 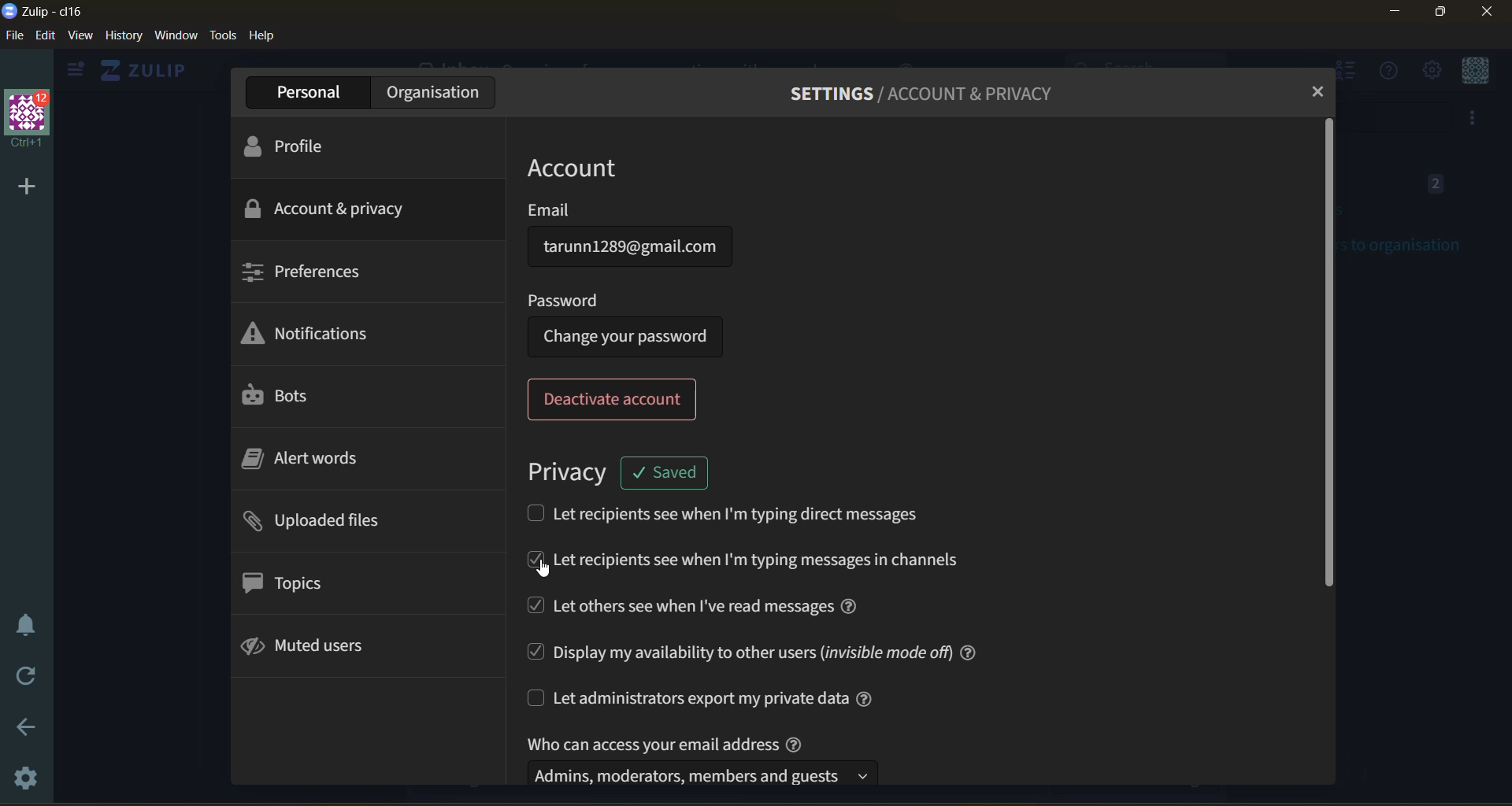 I want to click on notifications, so click(x=314, y=338).